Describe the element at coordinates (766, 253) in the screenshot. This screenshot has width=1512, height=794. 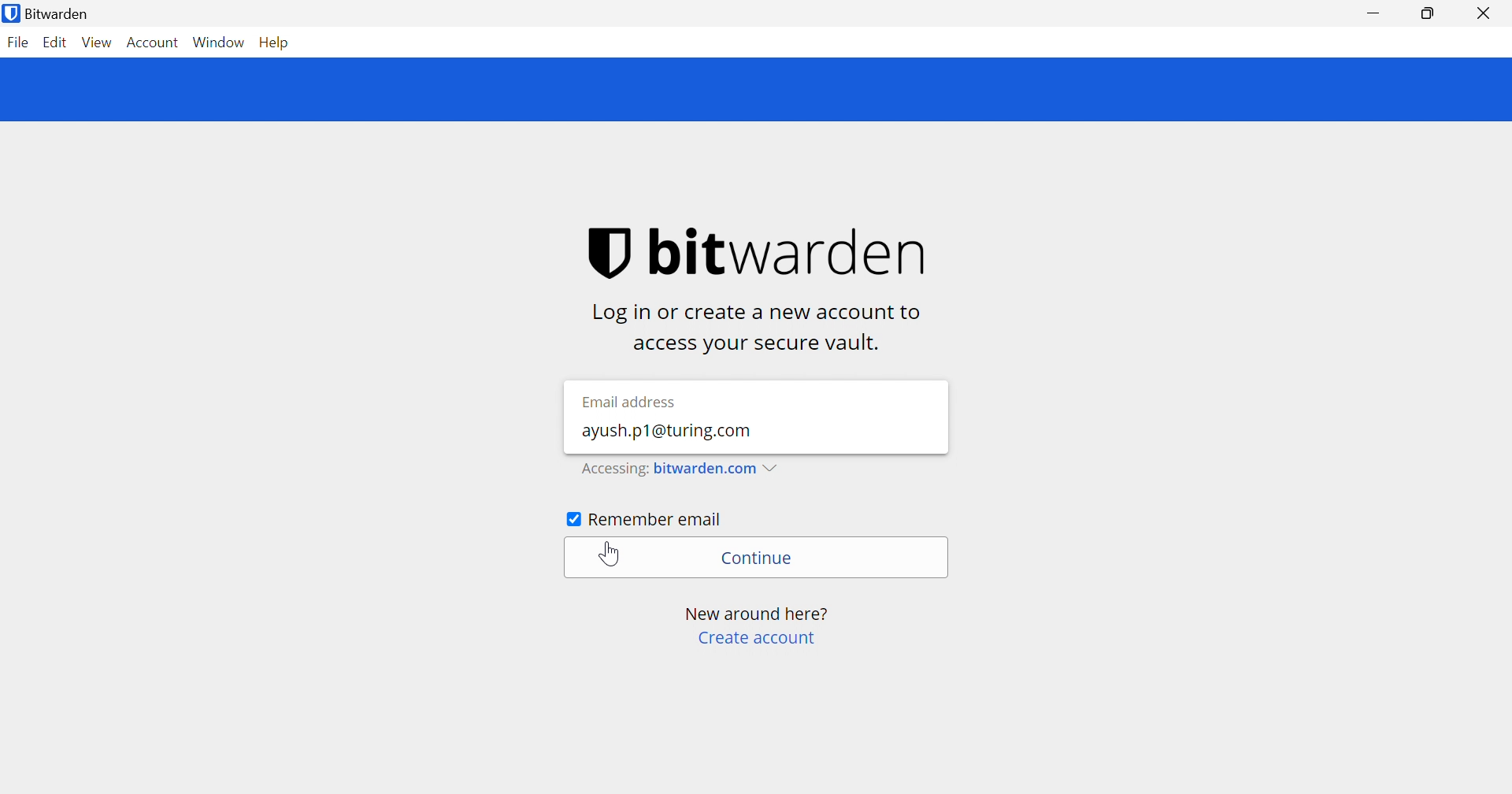
I see `bitwarden` at that location.